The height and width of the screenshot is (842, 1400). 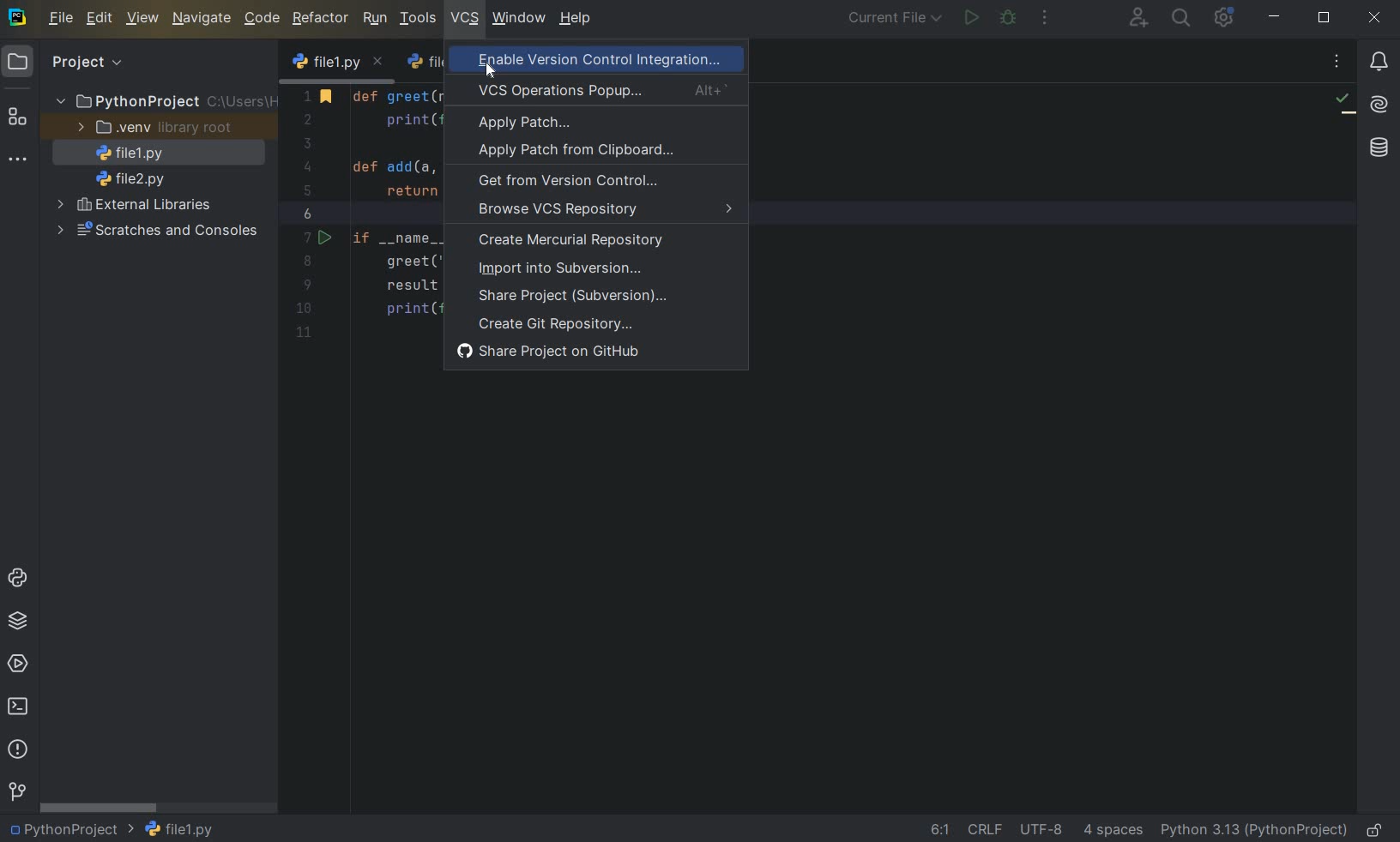 I want to click on code, so click(x=262, y=19).